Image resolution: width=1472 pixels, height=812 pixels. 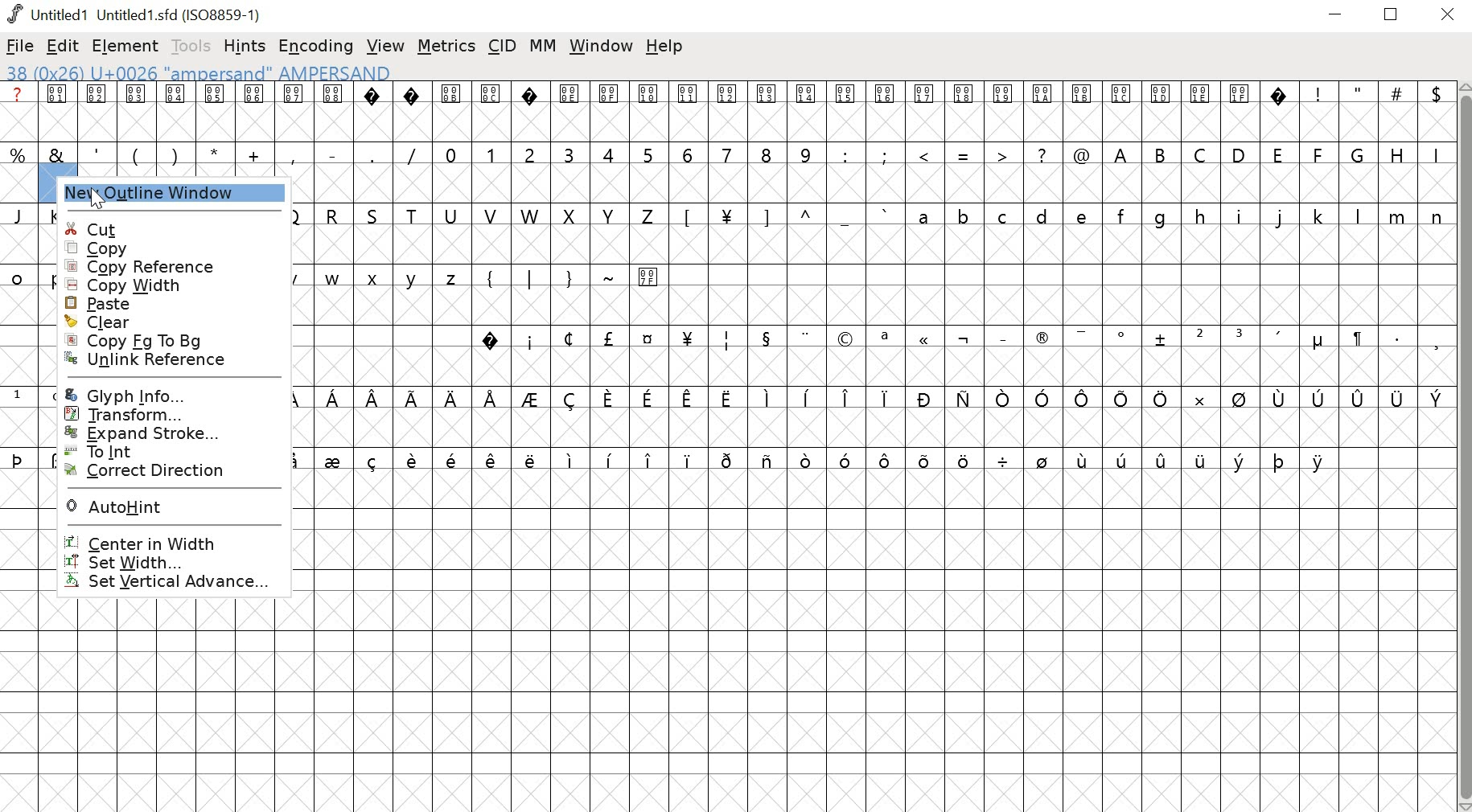 What do you see at coordinates (726, 215) in the screenshot?
I see `¥` at bounding box center [726, 215].